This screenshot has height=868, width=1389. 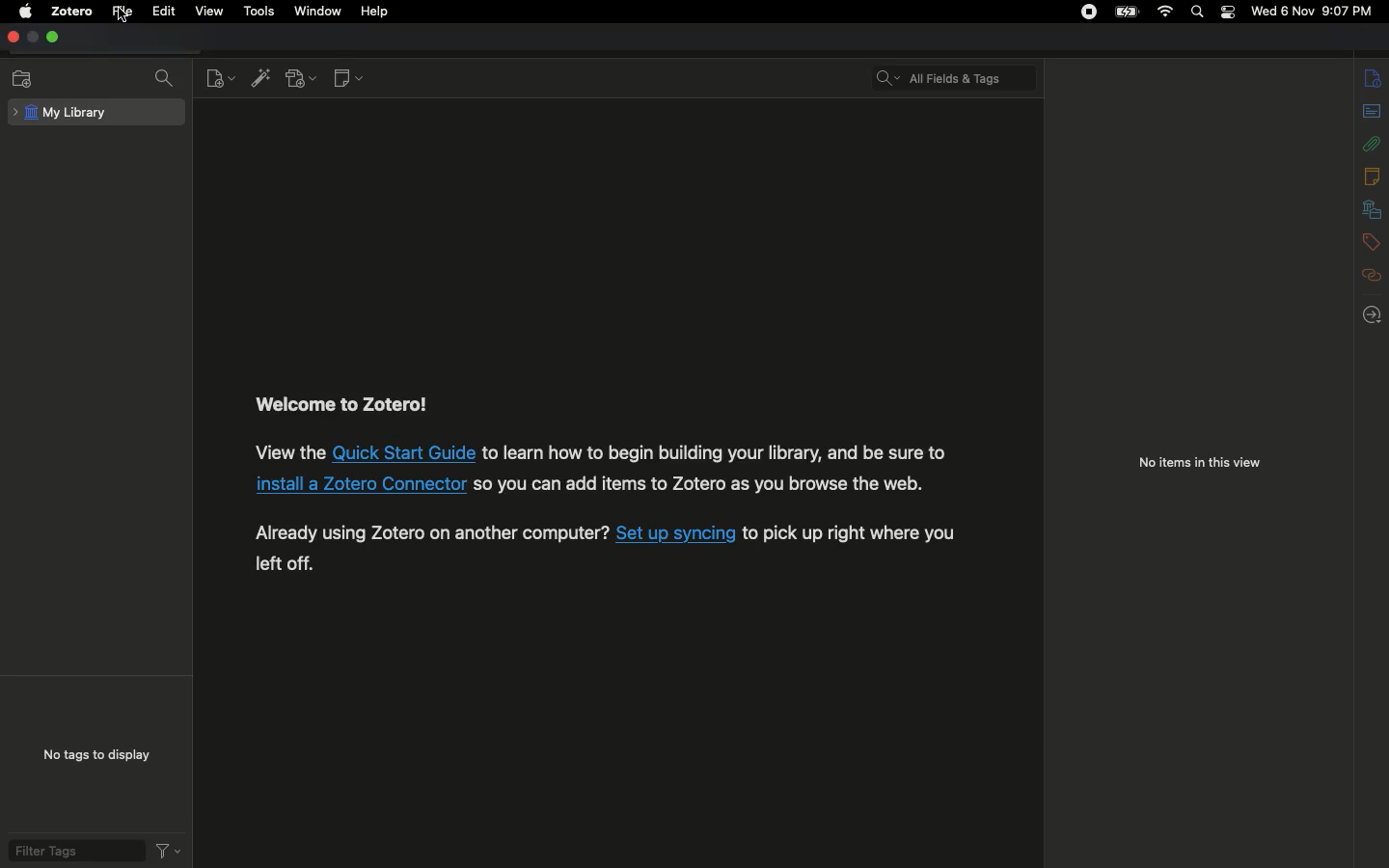 I want to click on Recording, so click(x=1088, y=14).